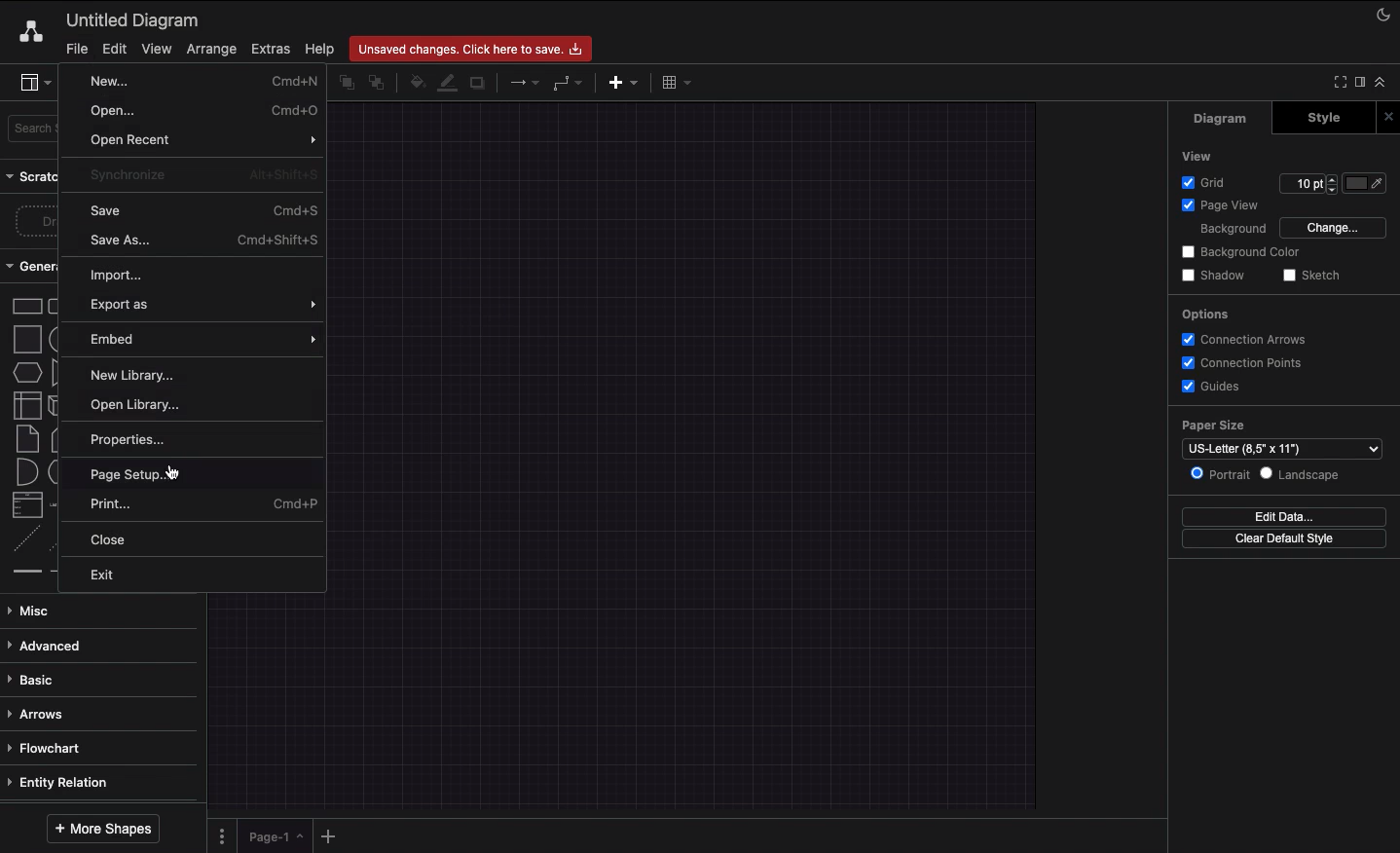  I want to click on Save as, so click(203, 239).